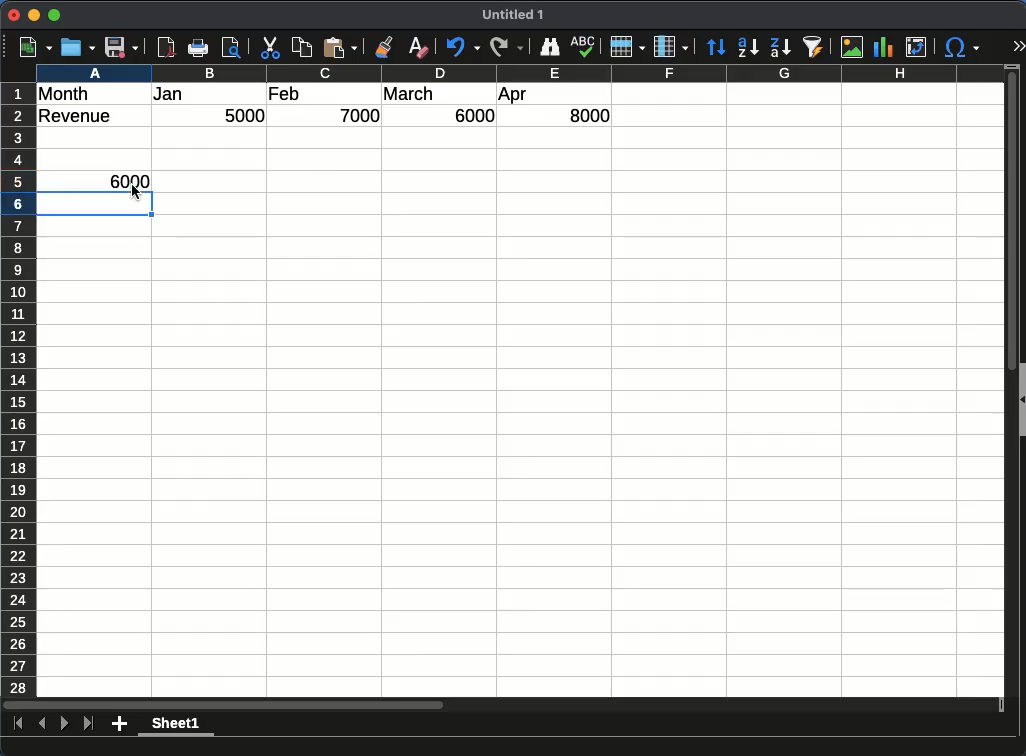 This screenshot has height=756, width=1026. Describe the element at coordinates (14, 15) in the screenshot. I see `close` at that location.